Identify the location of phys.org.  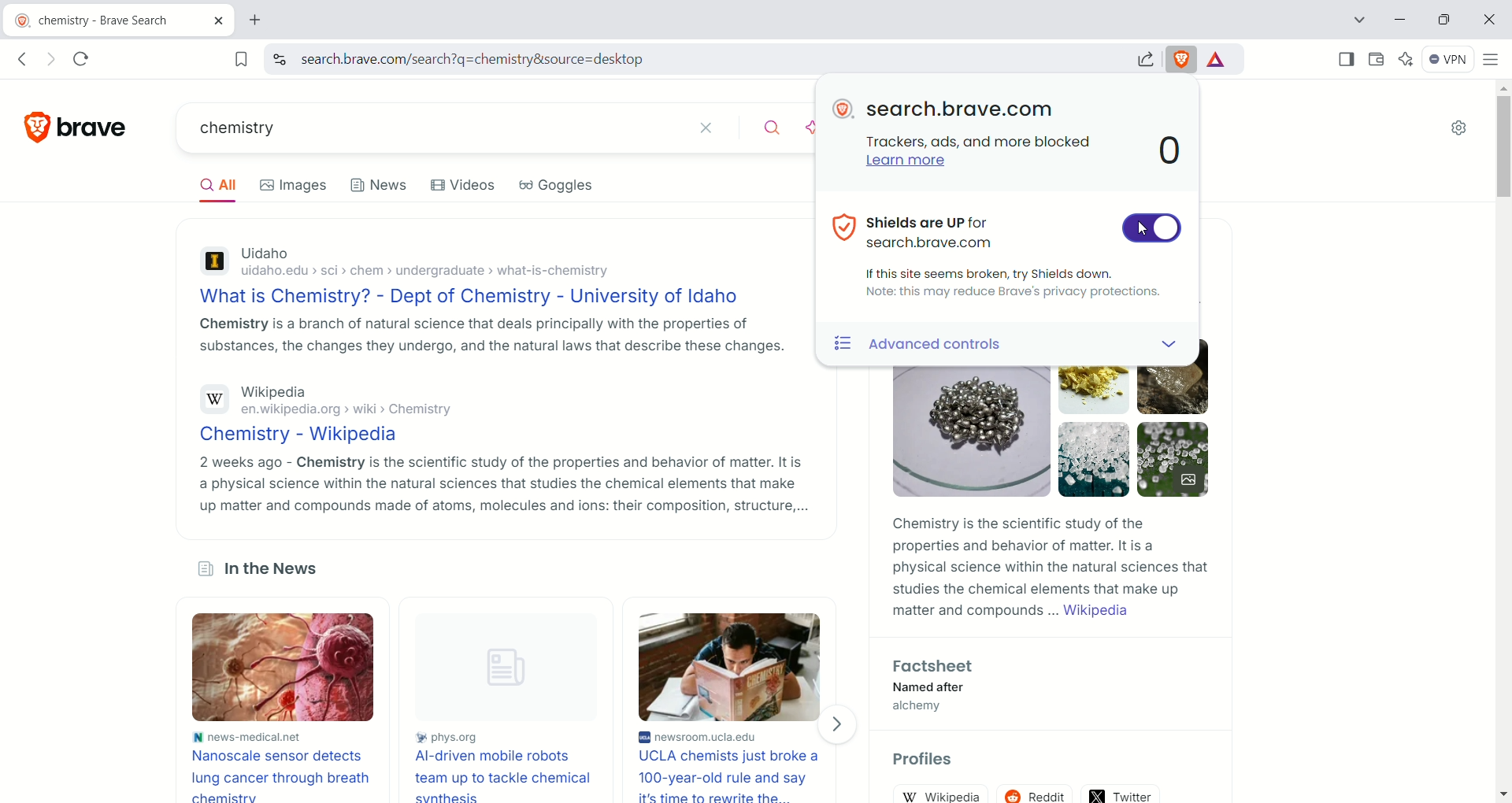
(500, 739).